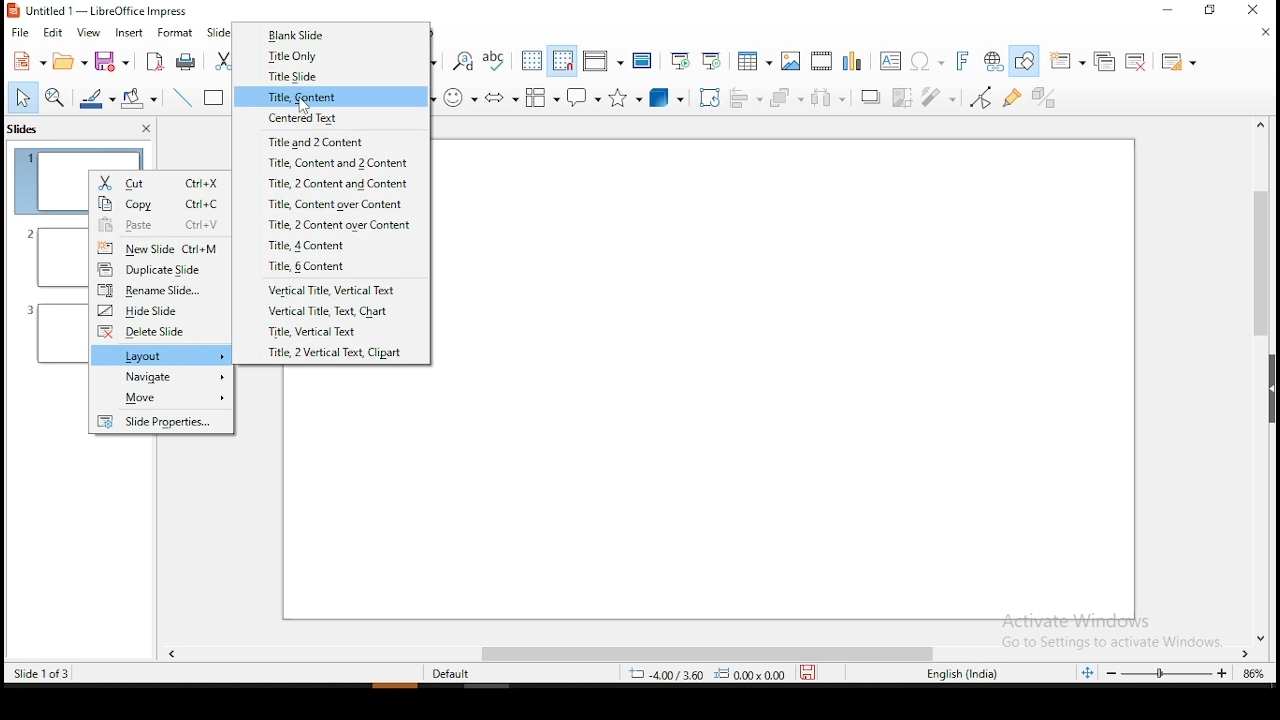 The width and height of the screenshot is (1280, 720). What do you see at coordinates (959, 674) in the screenshot?
I see `english (india)` at bounding box center [959, 674].